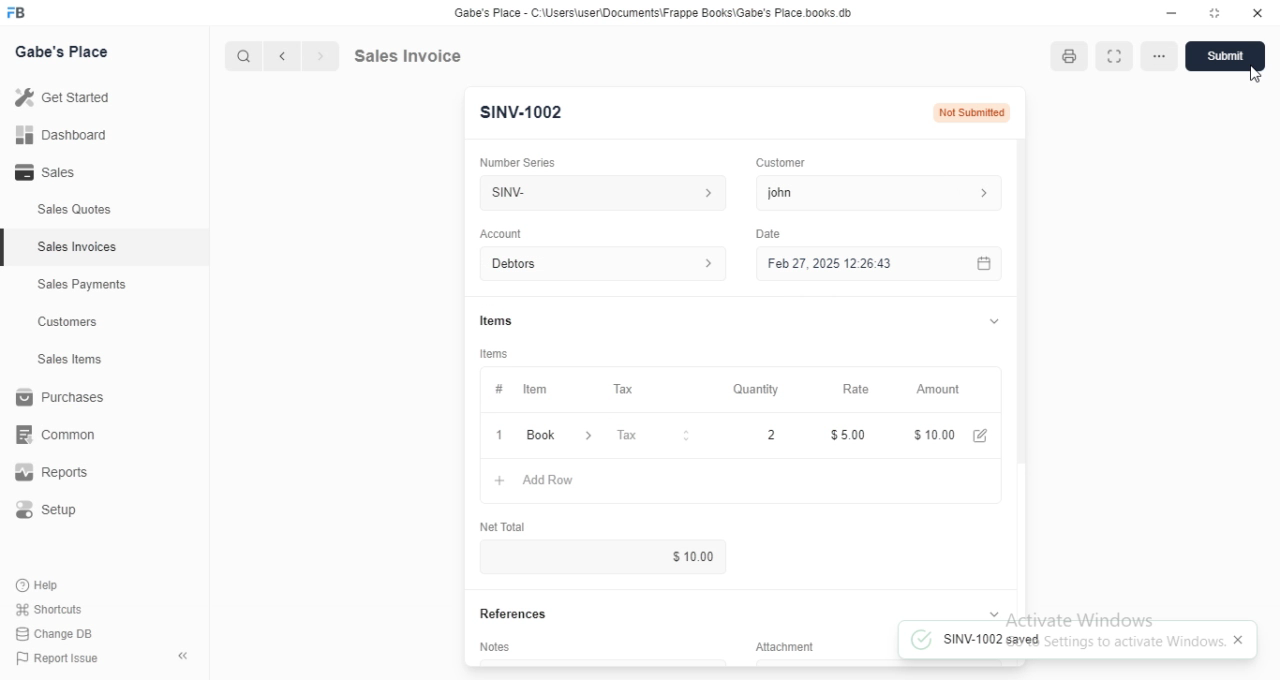 Image resolution: width=1280 pixels, height=680 pixels. What do you see at coordinates (861, 388) in the screenshot?
I see `Rate` at bounding box center [861, 388].